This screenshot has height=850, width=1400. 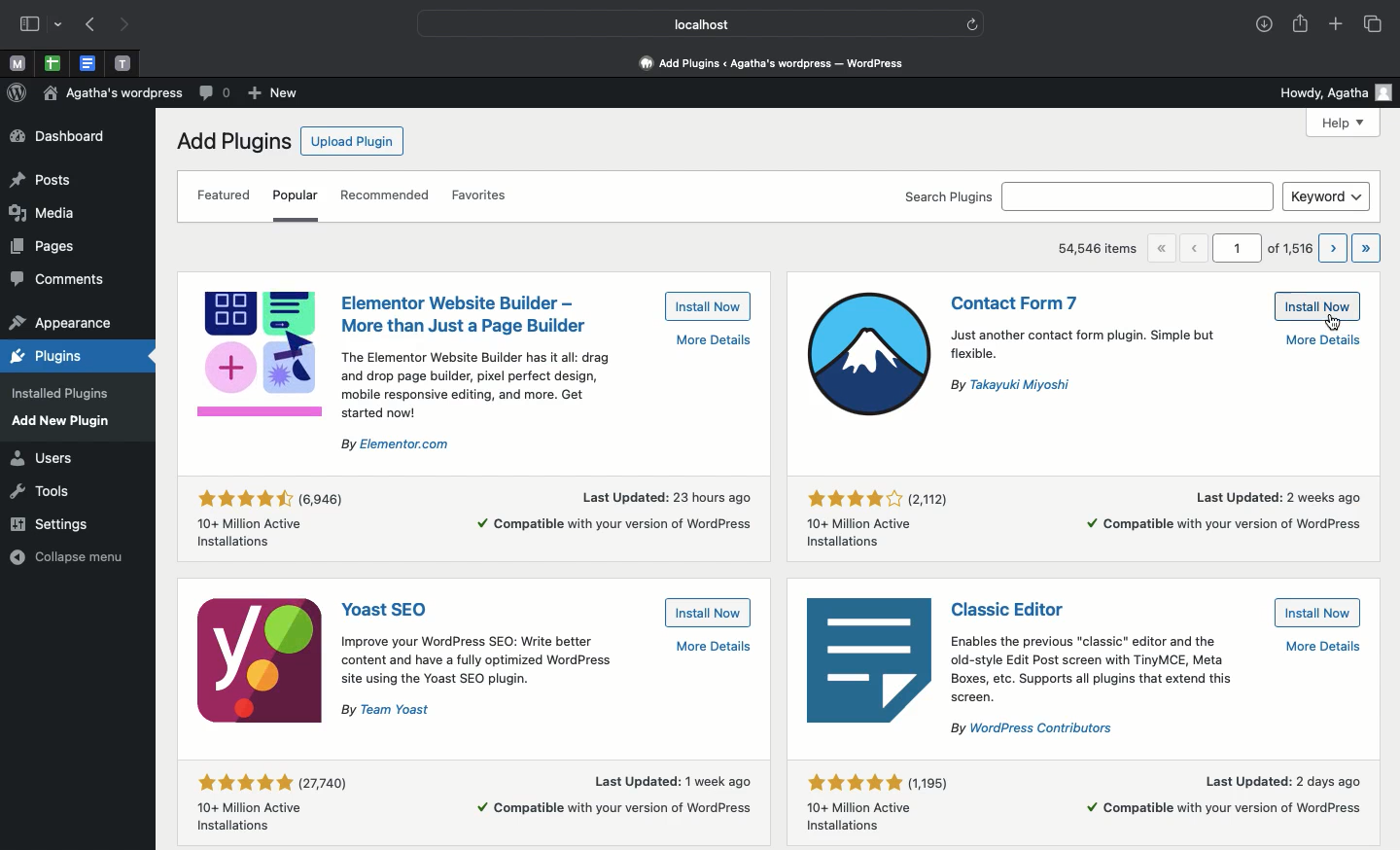 What do you see at coordinates (686, 23) in the screenshot?
I see `Localhost` at bounding box center [686, 23].